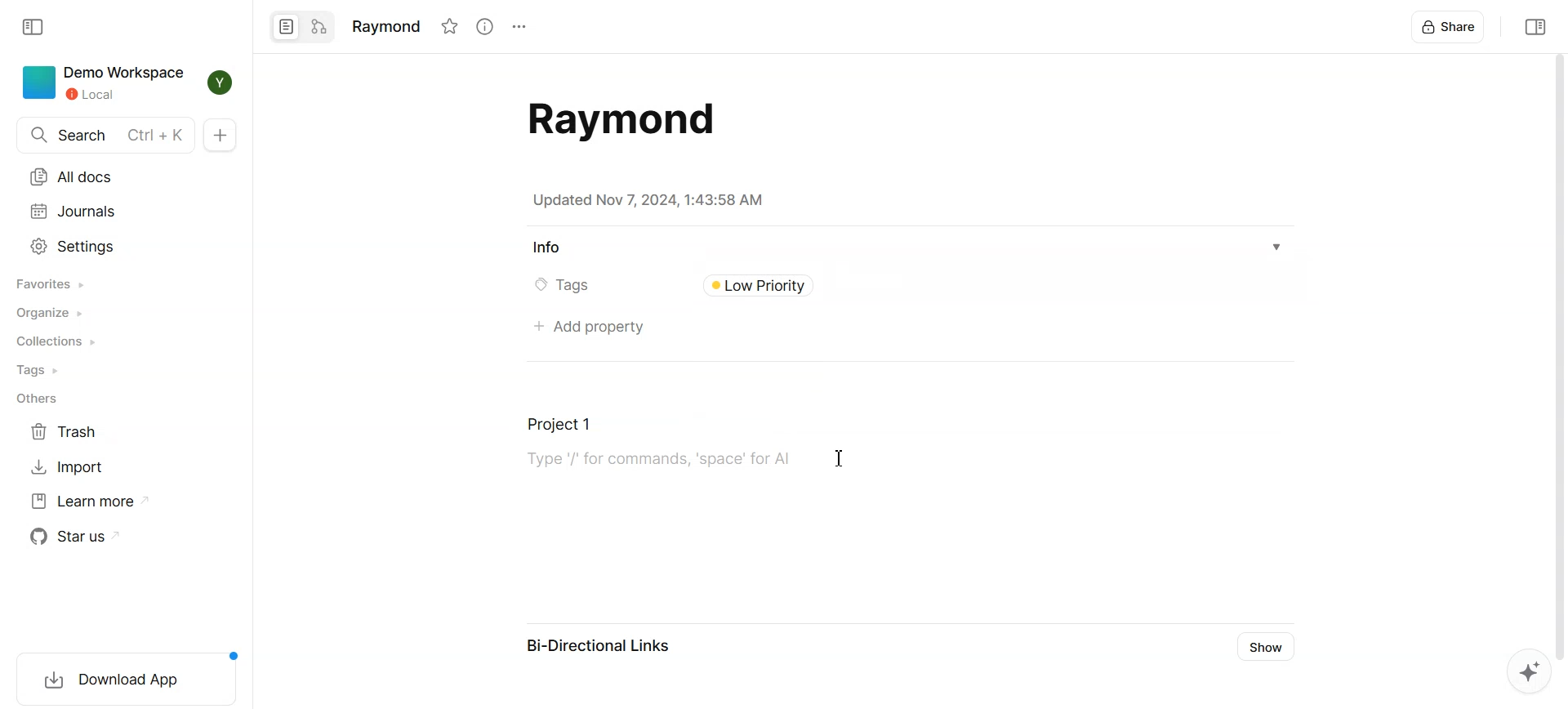 This screenshot has width=1568, height=709. I want to click on Demo Workspace, so click(105, 83).